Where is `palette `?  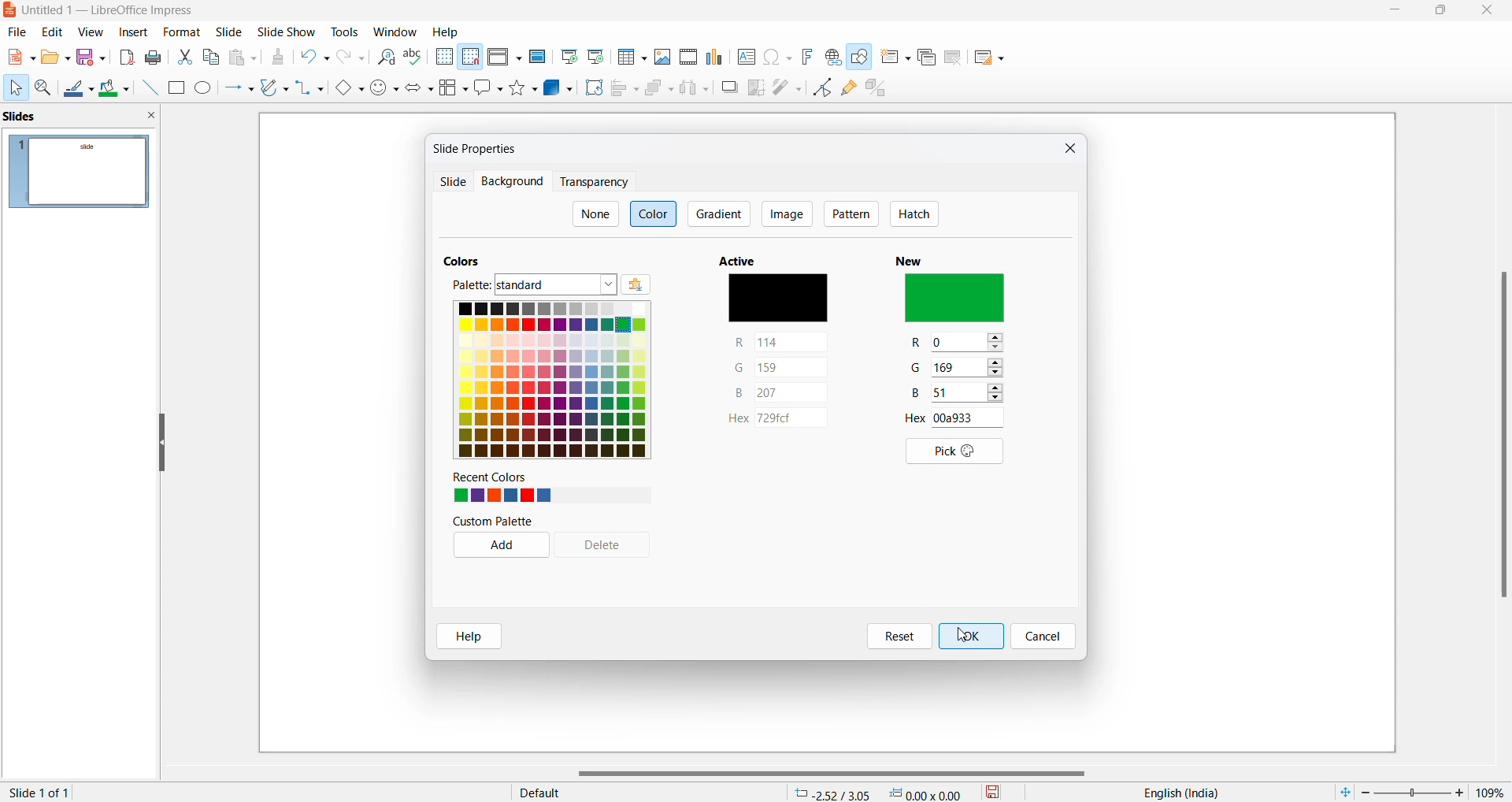
palette  is located at coordinates (467, 284).